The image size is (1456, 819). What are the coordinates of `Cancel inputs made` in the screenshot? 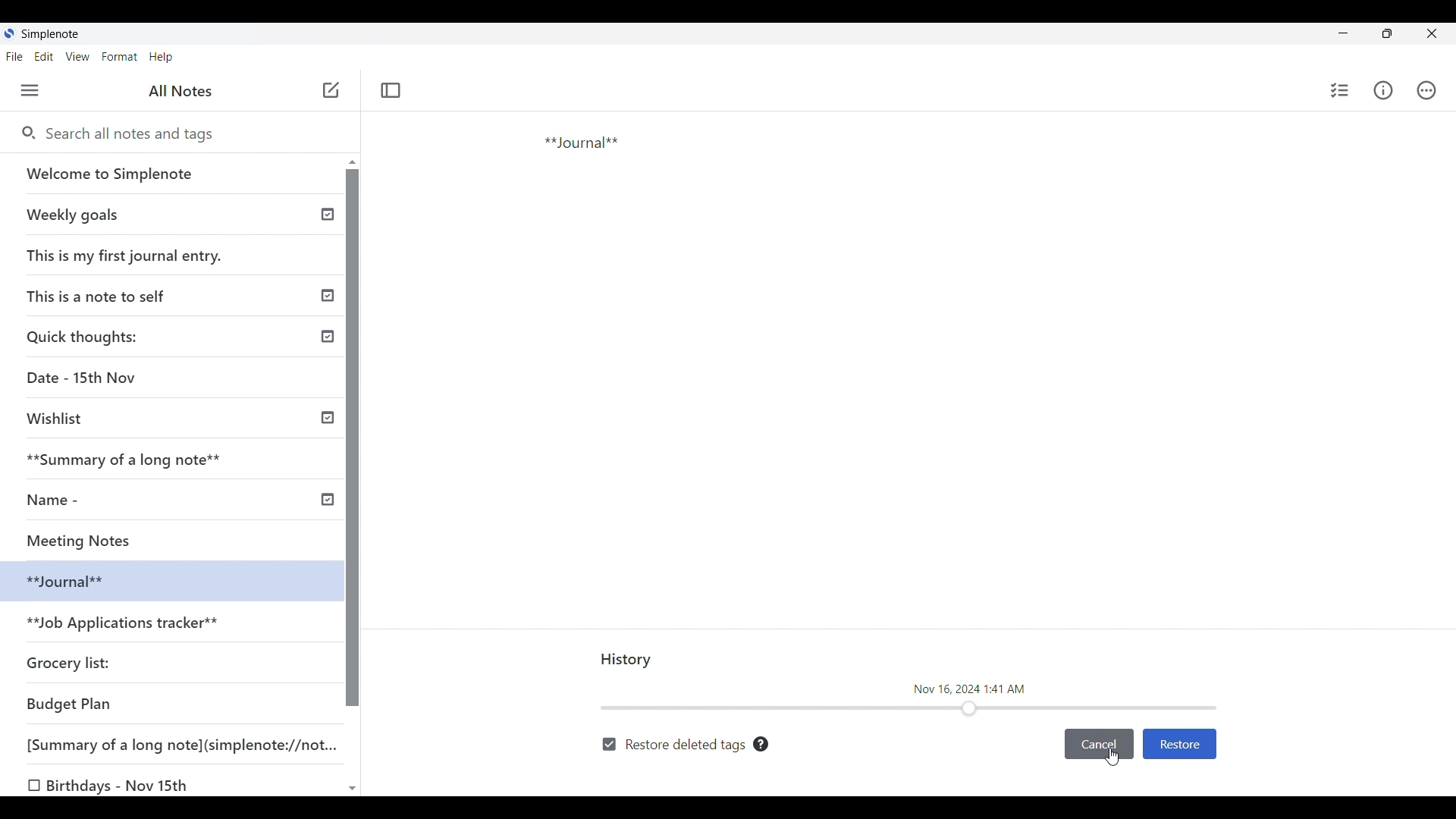 It's located at (1099, 745).